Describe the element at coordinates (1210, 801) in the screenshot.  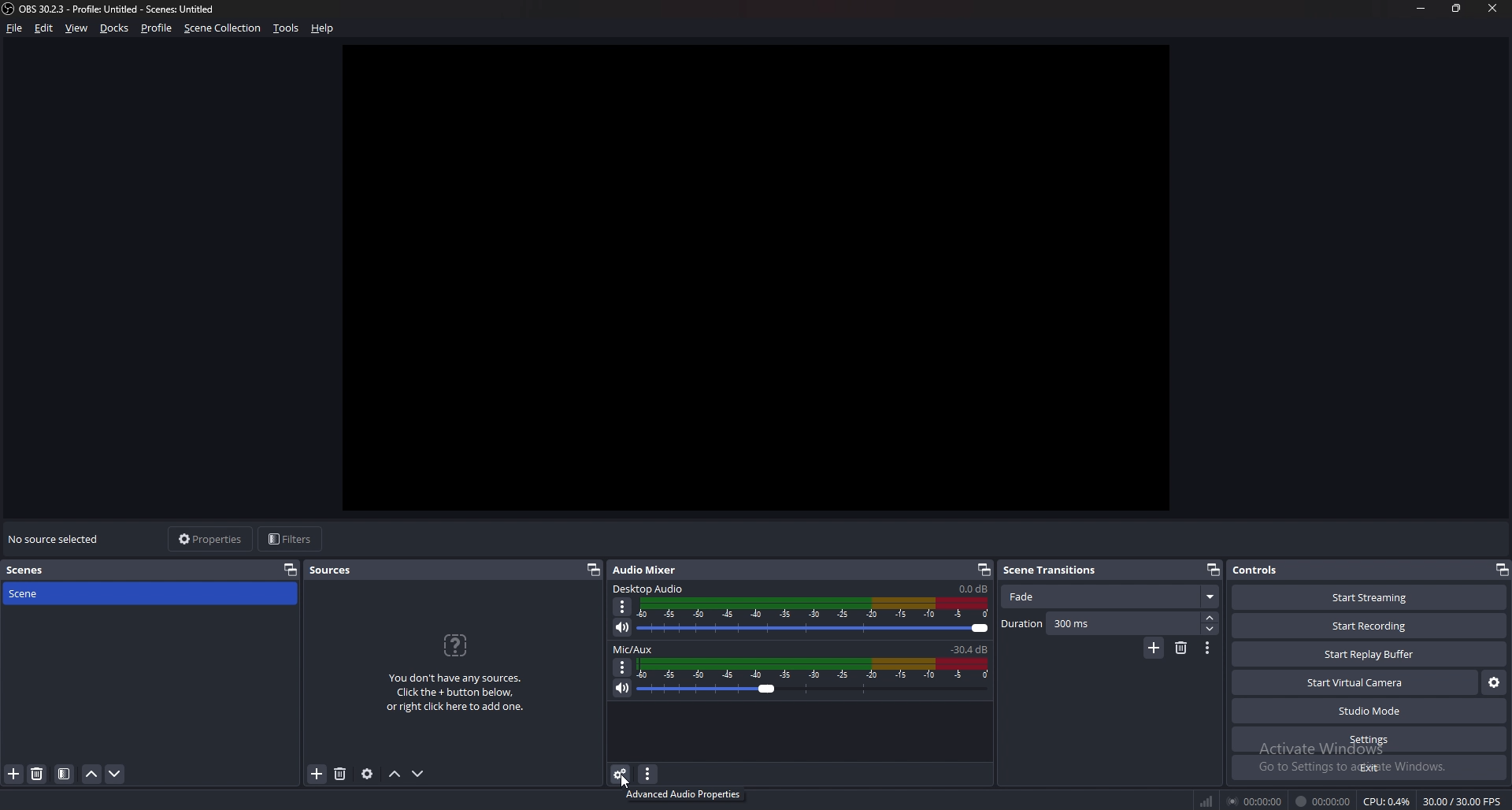
I see `network` at that location.